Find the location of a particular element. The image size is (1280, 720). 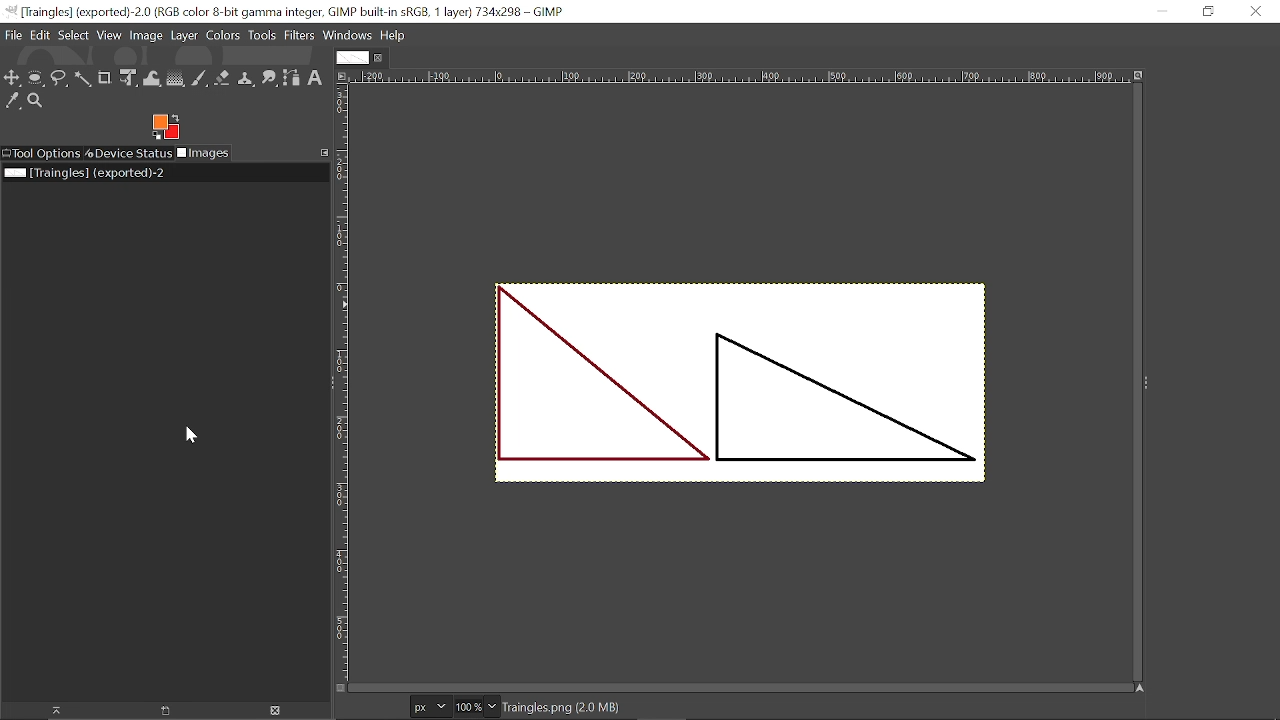

Delete this image is located at coordinates (277, 711).